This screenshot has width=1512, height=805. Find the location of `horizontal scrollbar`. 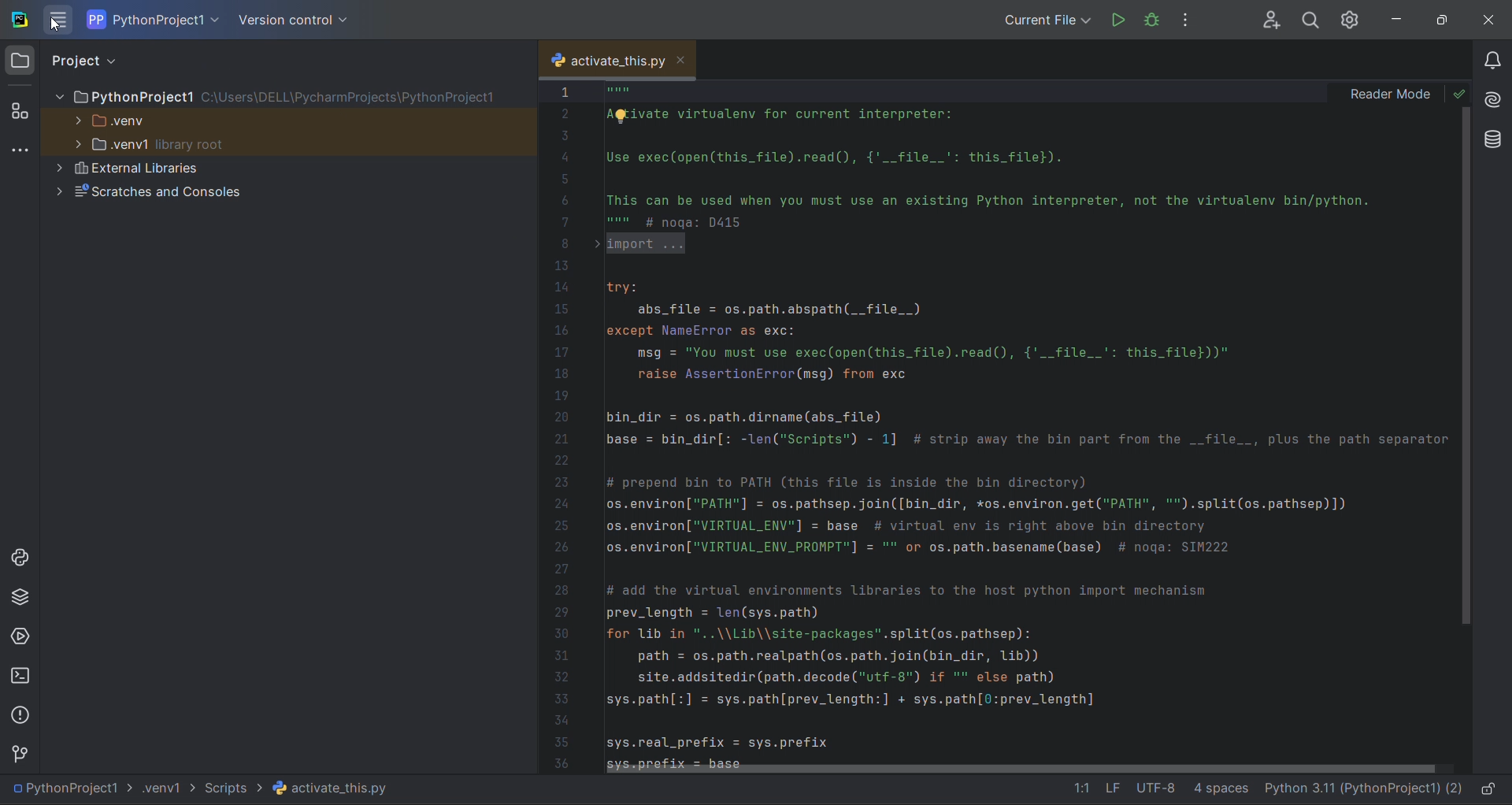

horizontal scrollbar is located at coordinates (1011, 770).